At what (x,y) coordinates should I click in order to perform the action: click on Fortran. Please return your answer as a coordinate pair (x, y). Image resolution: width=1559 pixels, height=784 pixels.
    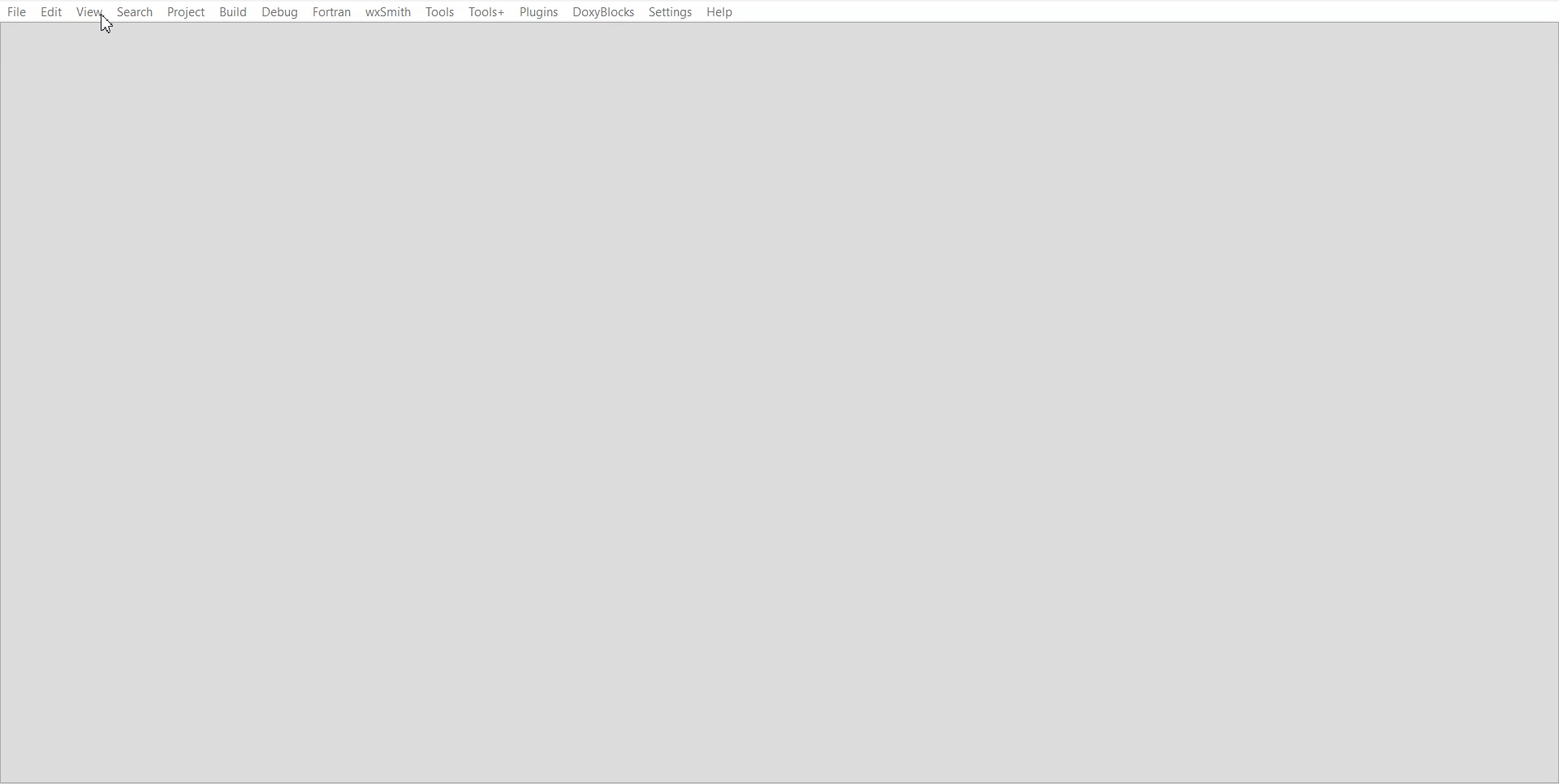
    Looking at the image, I should click on (332, 12).